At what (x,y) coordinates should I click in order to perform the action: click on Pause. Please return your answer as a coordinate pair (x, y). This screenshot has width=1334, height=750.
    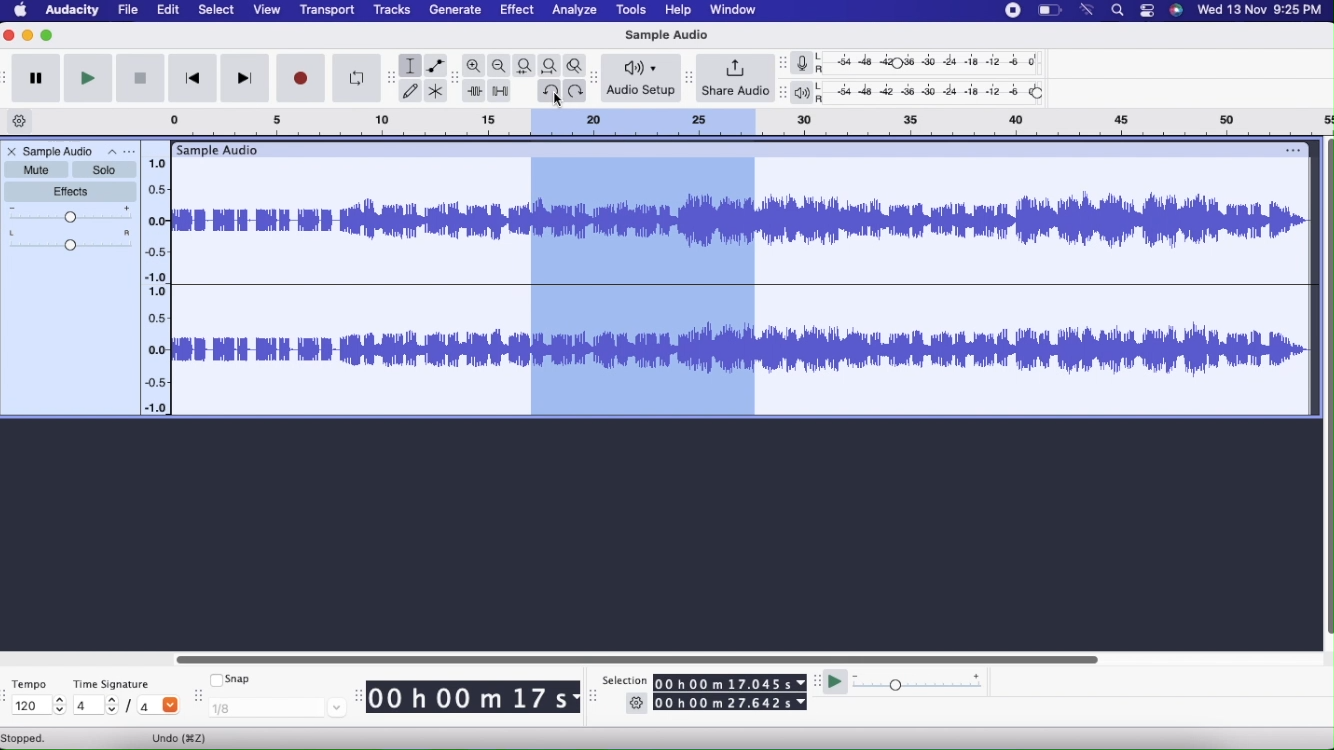
    Looking at the image, I should click on (37, 78).